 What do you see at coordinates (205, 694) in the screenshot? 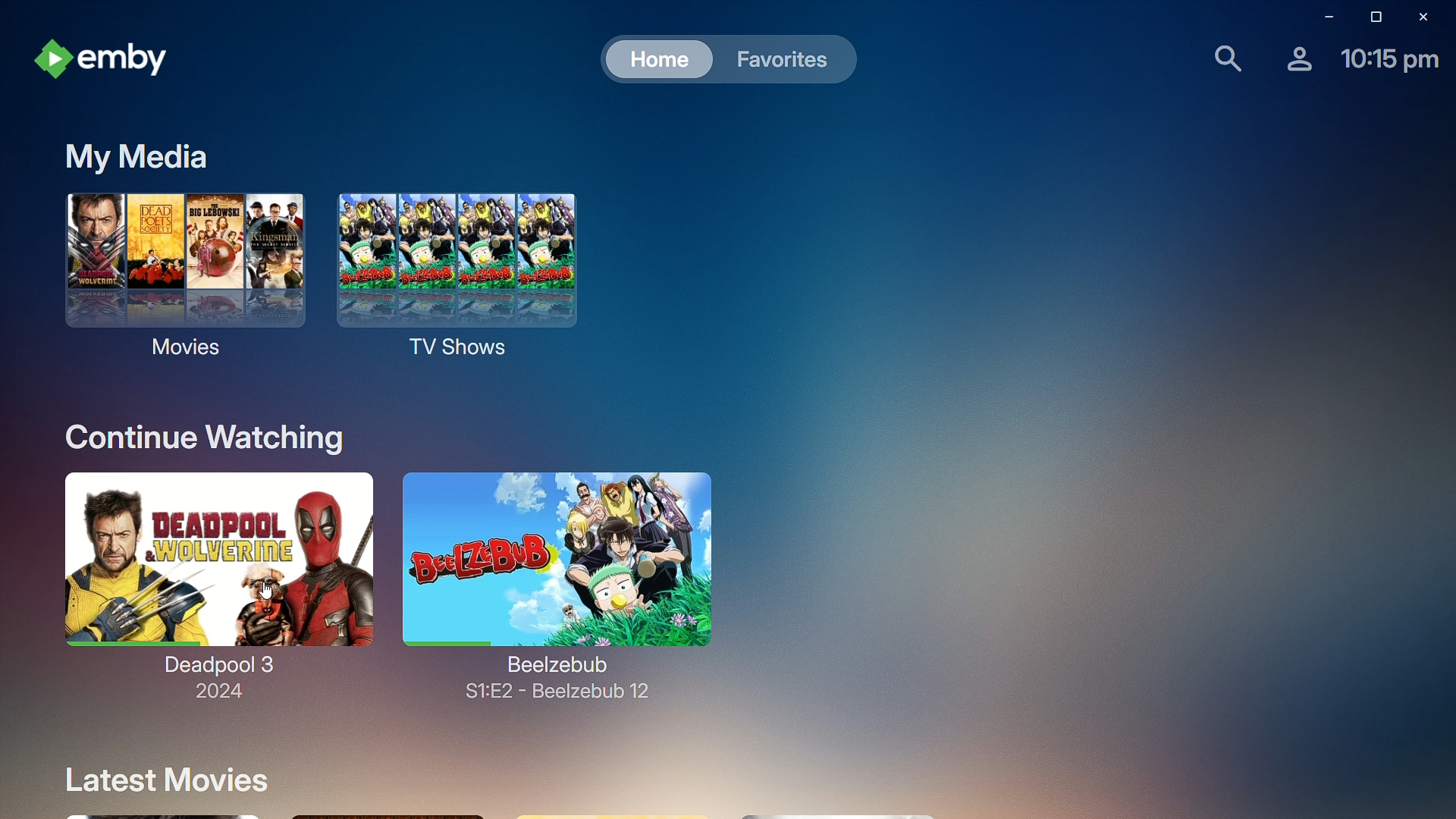
I see `2024` at bounding box center [205, 694].